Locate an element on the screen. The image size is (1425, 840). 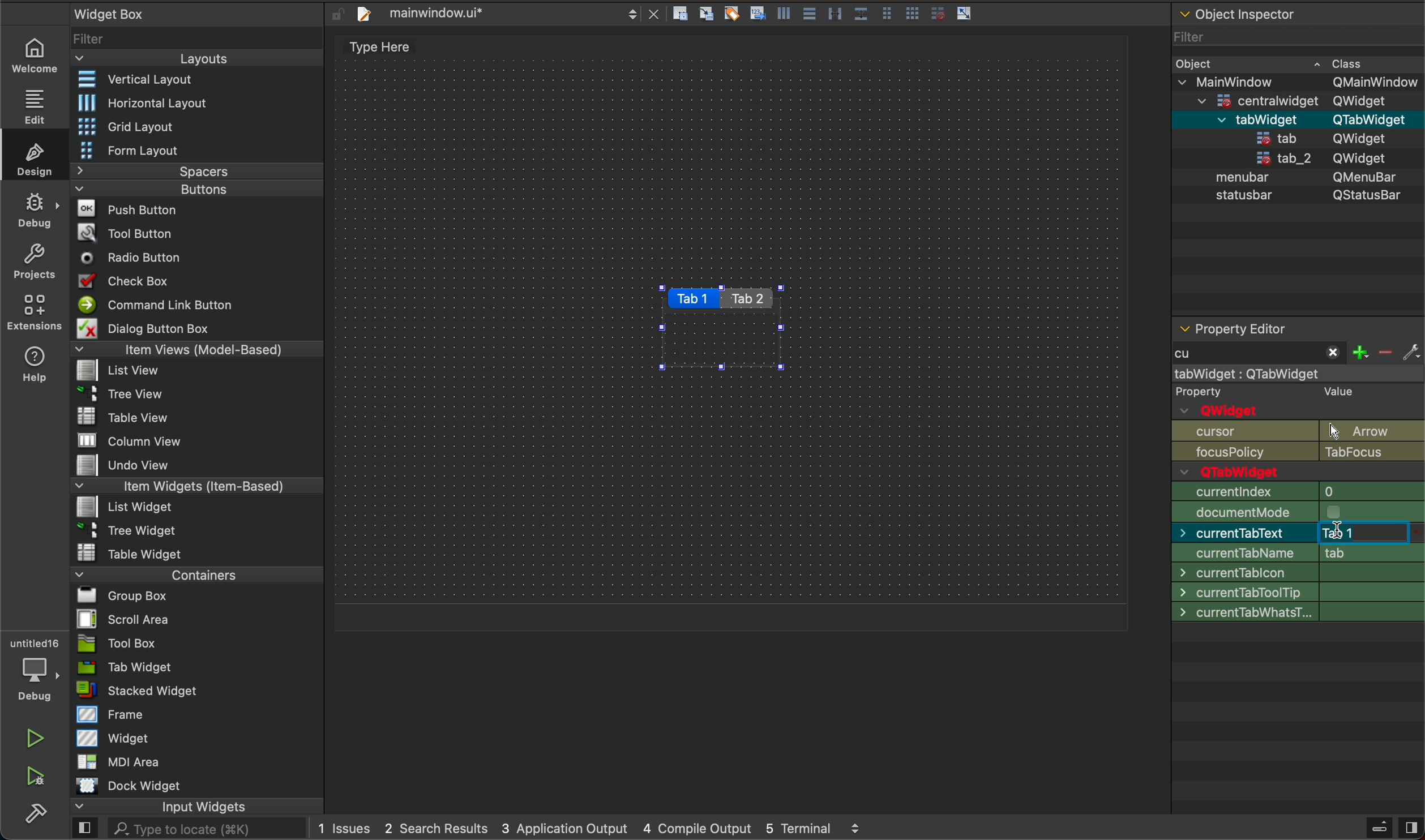
Dialog Button Box is located at coordinates (139, 327).